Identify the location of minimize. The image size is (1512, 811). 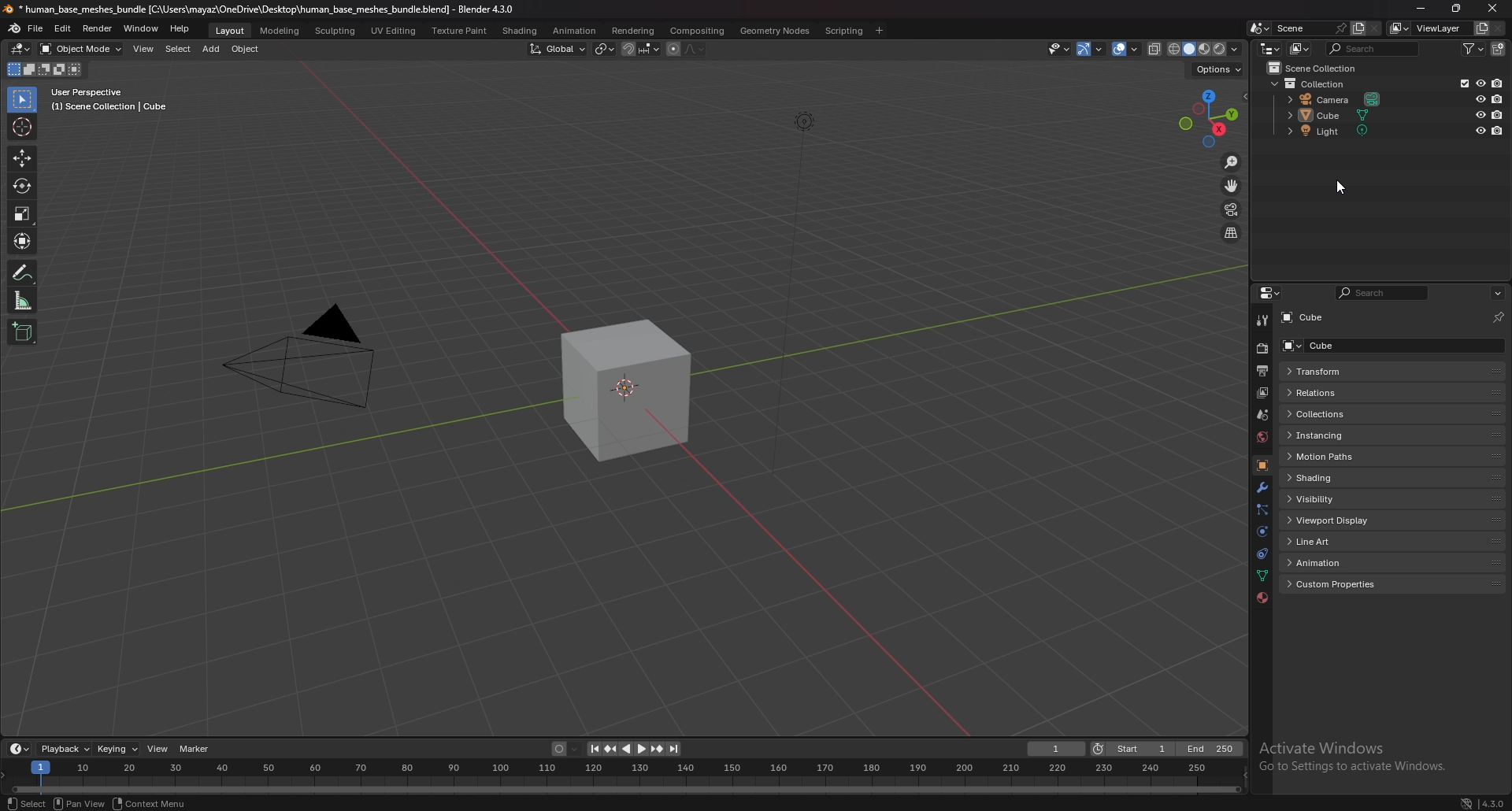
(1421, 7).